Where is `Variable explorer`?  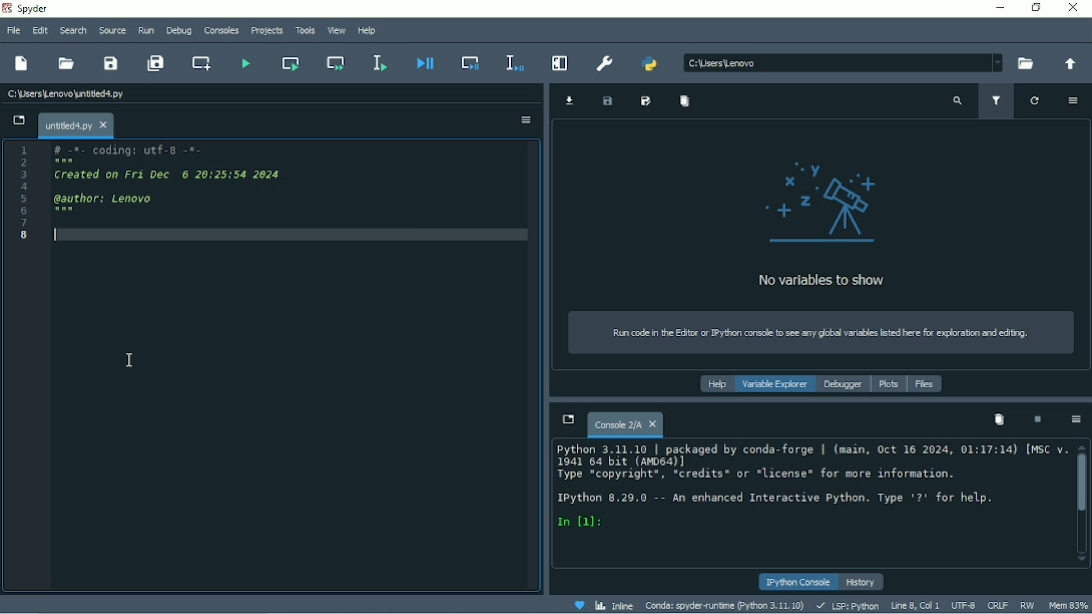 Variable explorer is located at coordinates (772, 382).